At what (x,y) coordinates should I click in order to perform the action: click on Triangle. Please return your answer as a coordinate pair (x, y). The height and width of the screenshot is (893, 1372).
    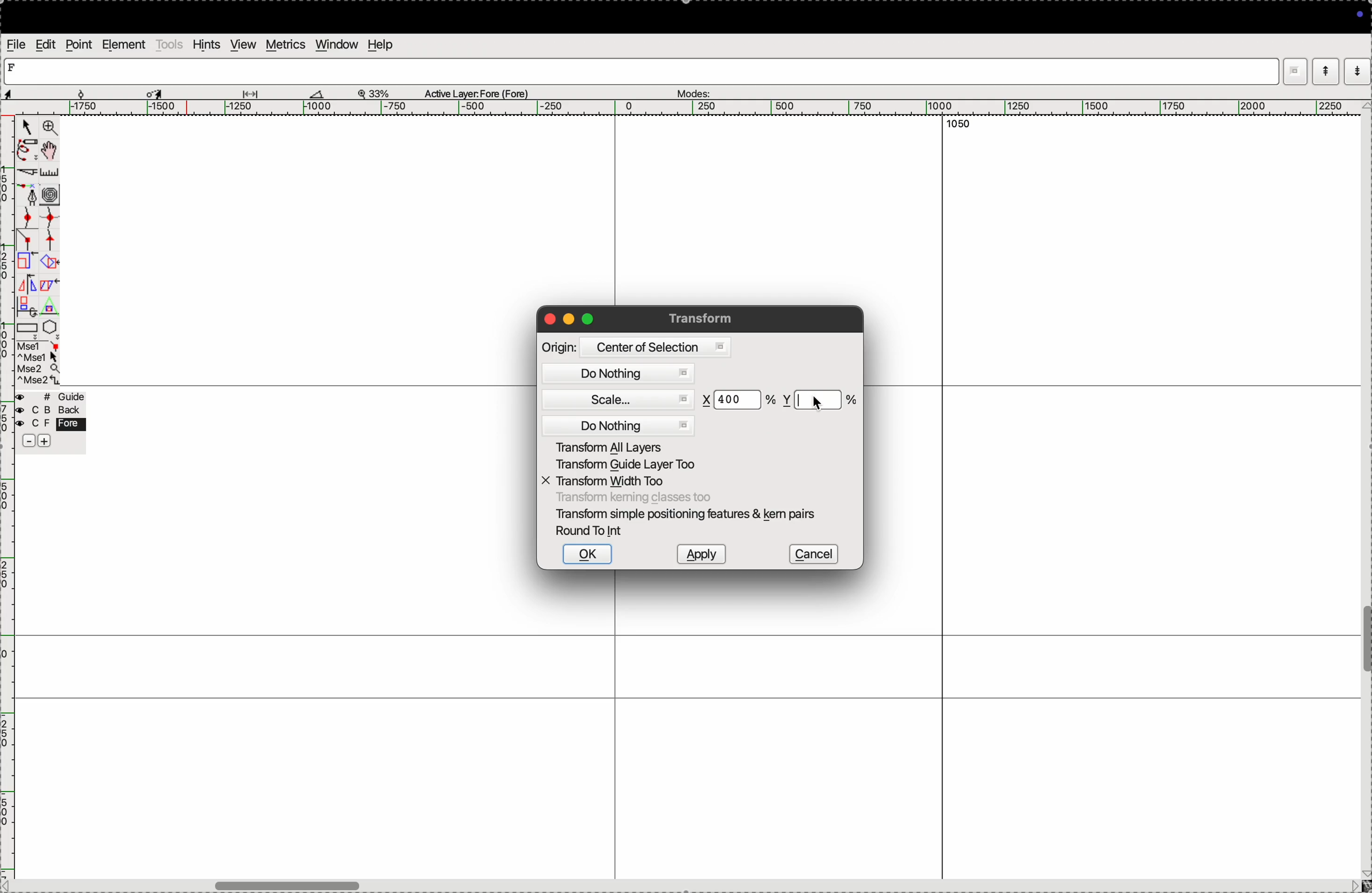
    Looking at the image, I should click on (49, 306).